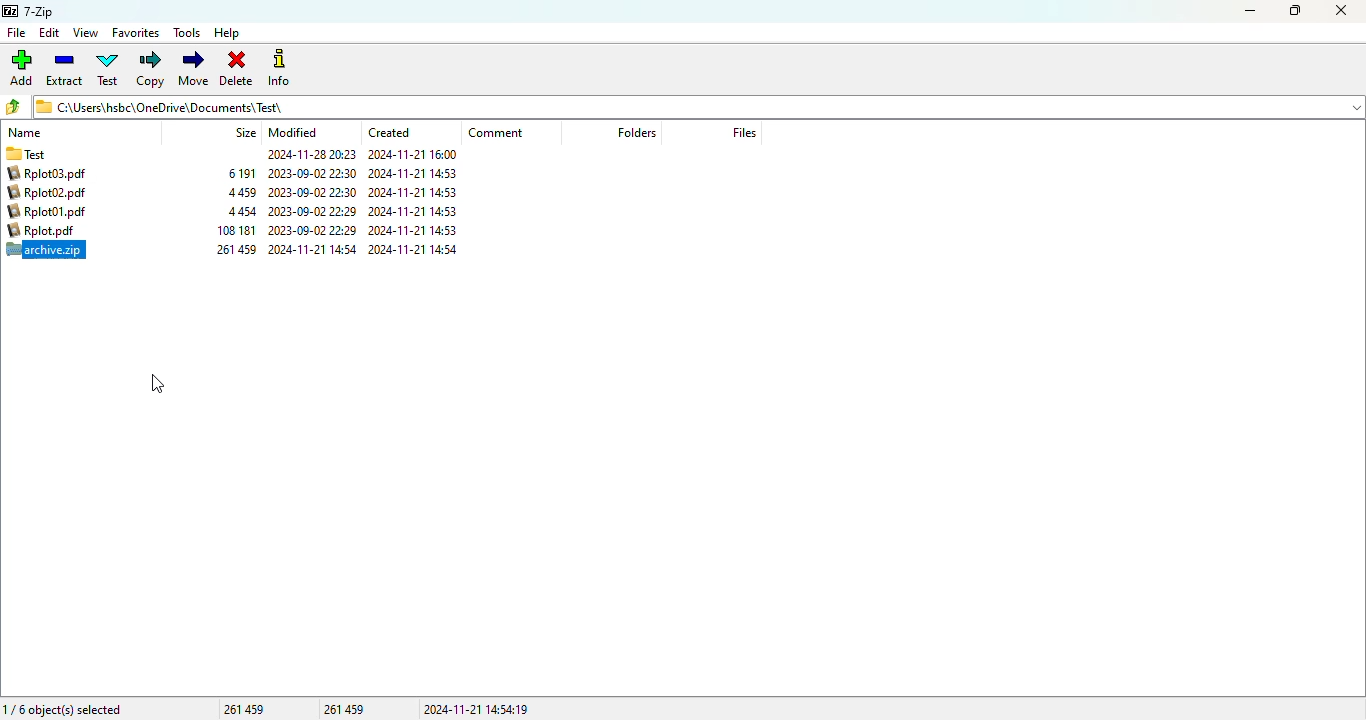  What do you see at coordinates (228, 33) in the screenshot?
I see `help` at bounding box center [228, 33].